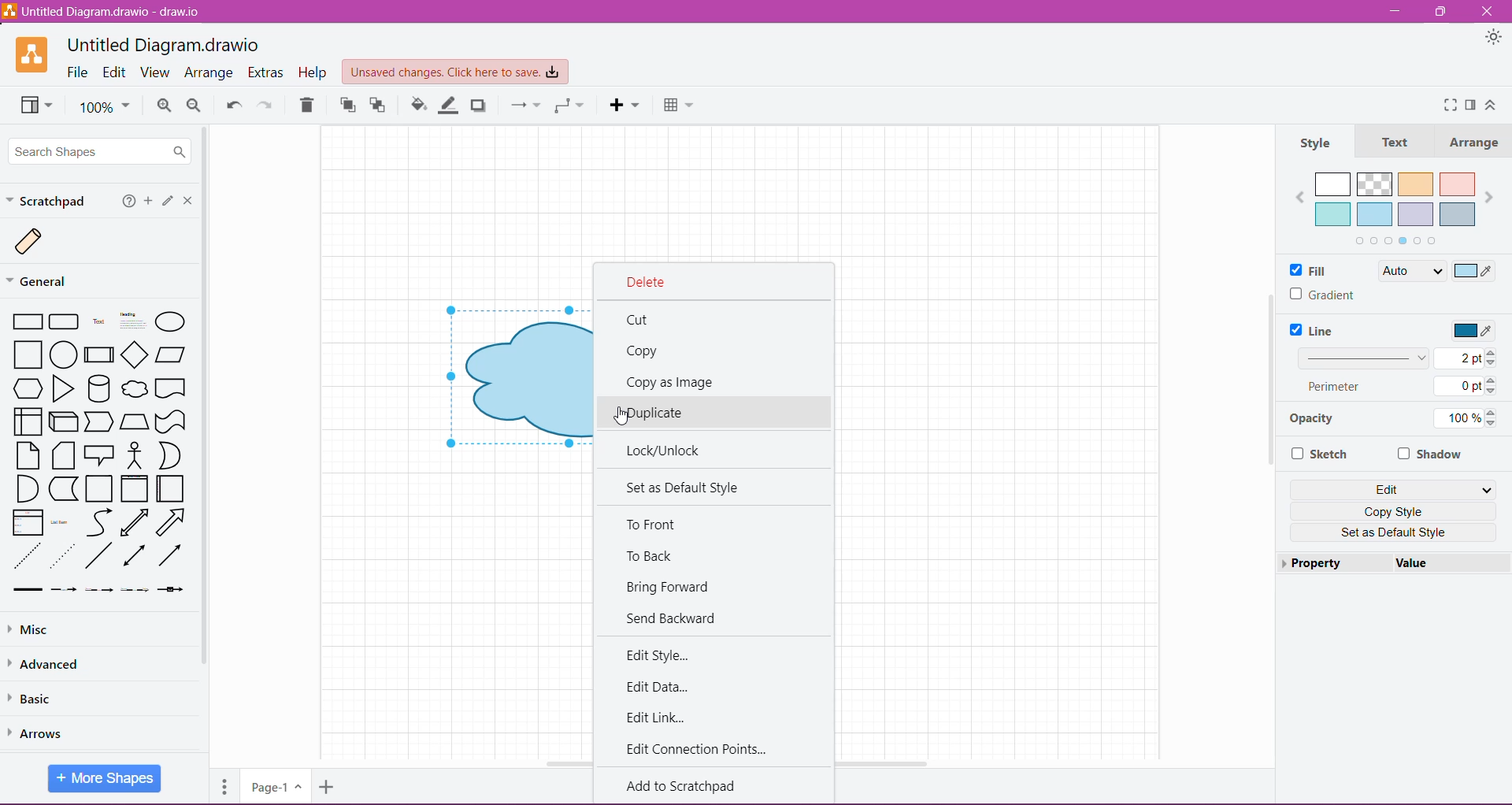  I want to click on Add to Scratchpad, so click(687, 789).